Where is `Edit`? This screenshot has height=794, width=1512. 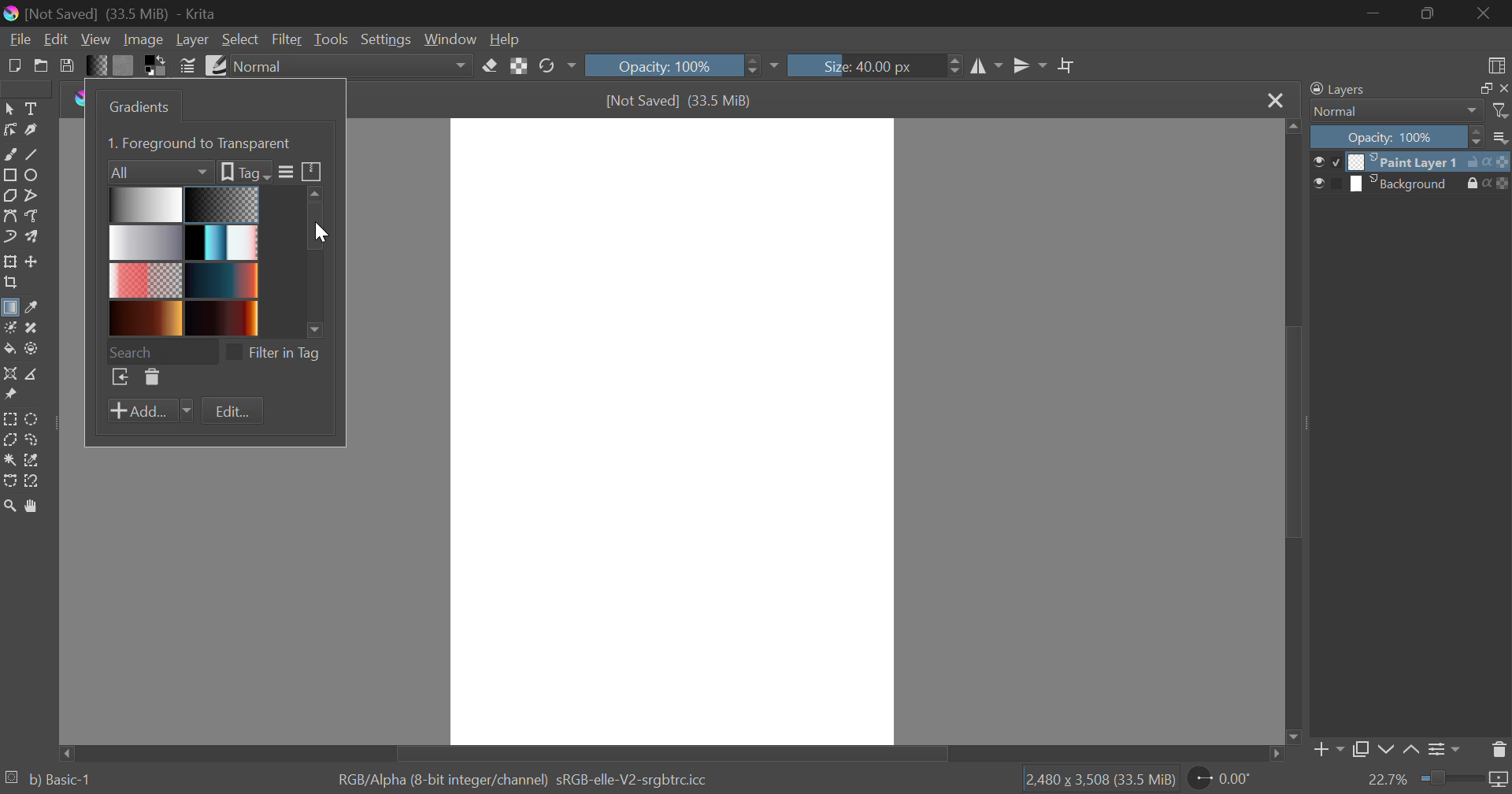
Edit is located at coordinates (57, 39).